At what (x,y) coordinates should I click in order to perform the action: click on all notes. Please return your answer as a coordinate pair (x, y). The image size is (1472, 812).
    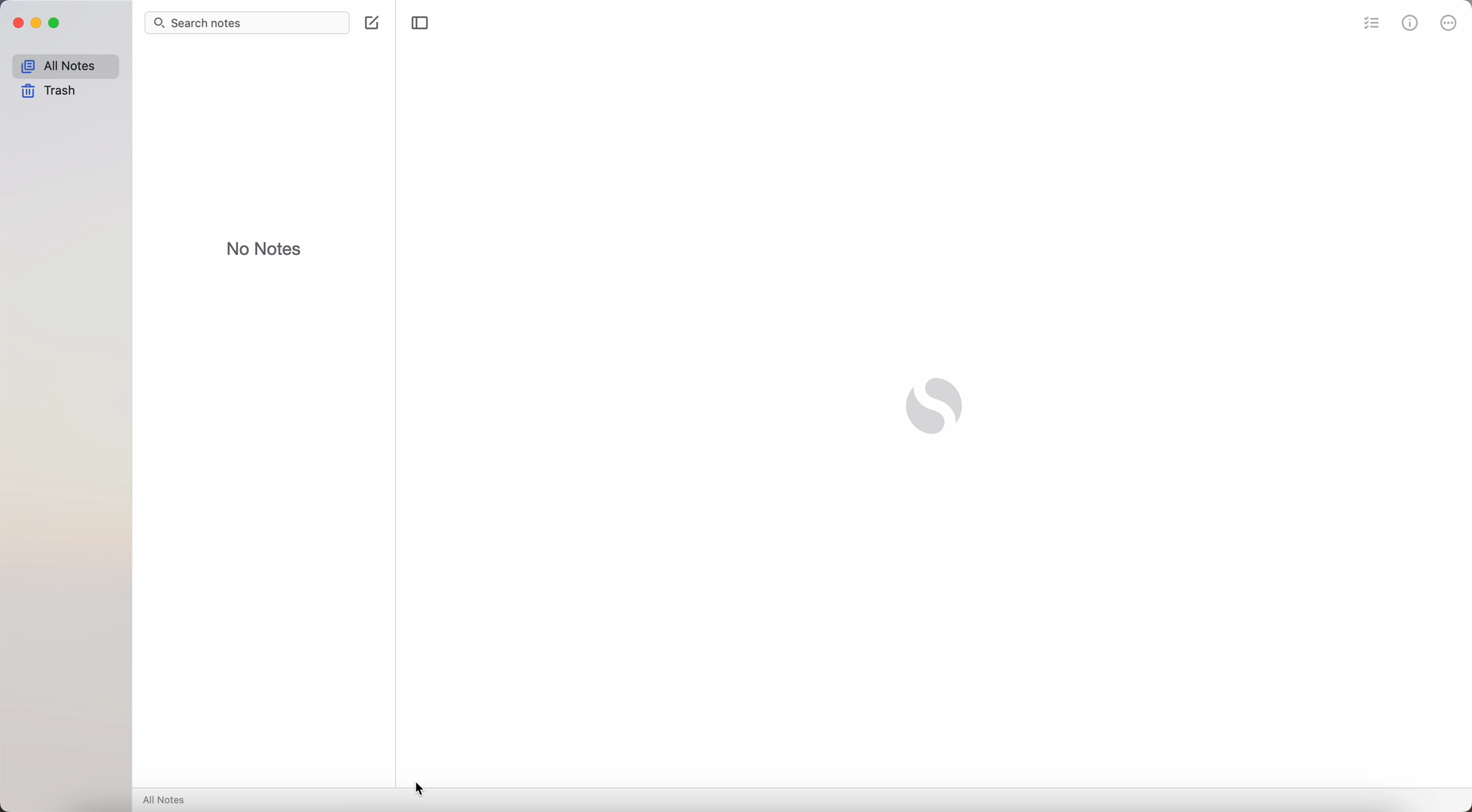
    Looking at the image, I should click on (167, 801).